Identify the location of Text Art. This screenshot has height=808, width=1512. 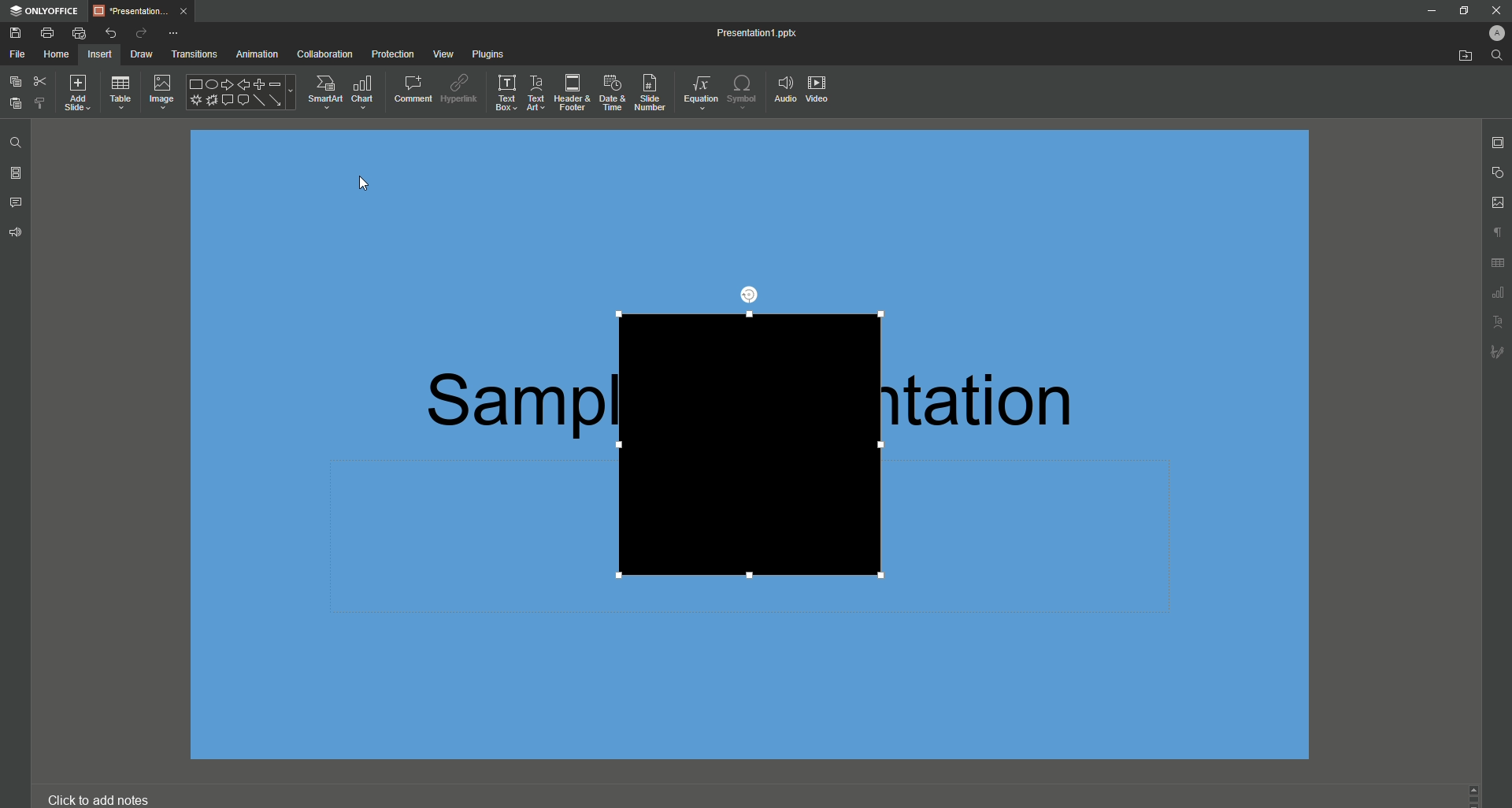
(535, 93).